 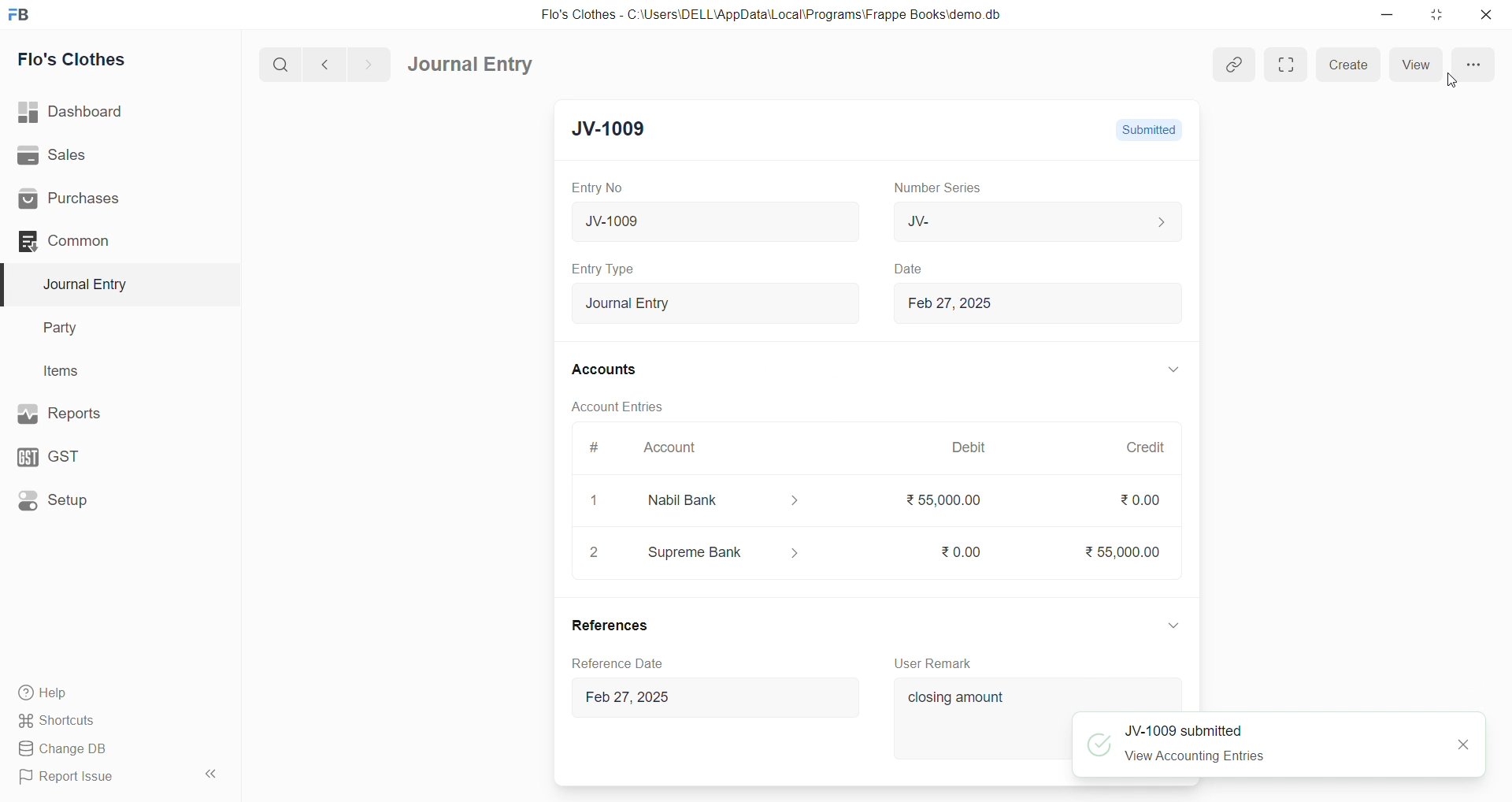 I want to click on Credit, so click(x=1137, y=448).